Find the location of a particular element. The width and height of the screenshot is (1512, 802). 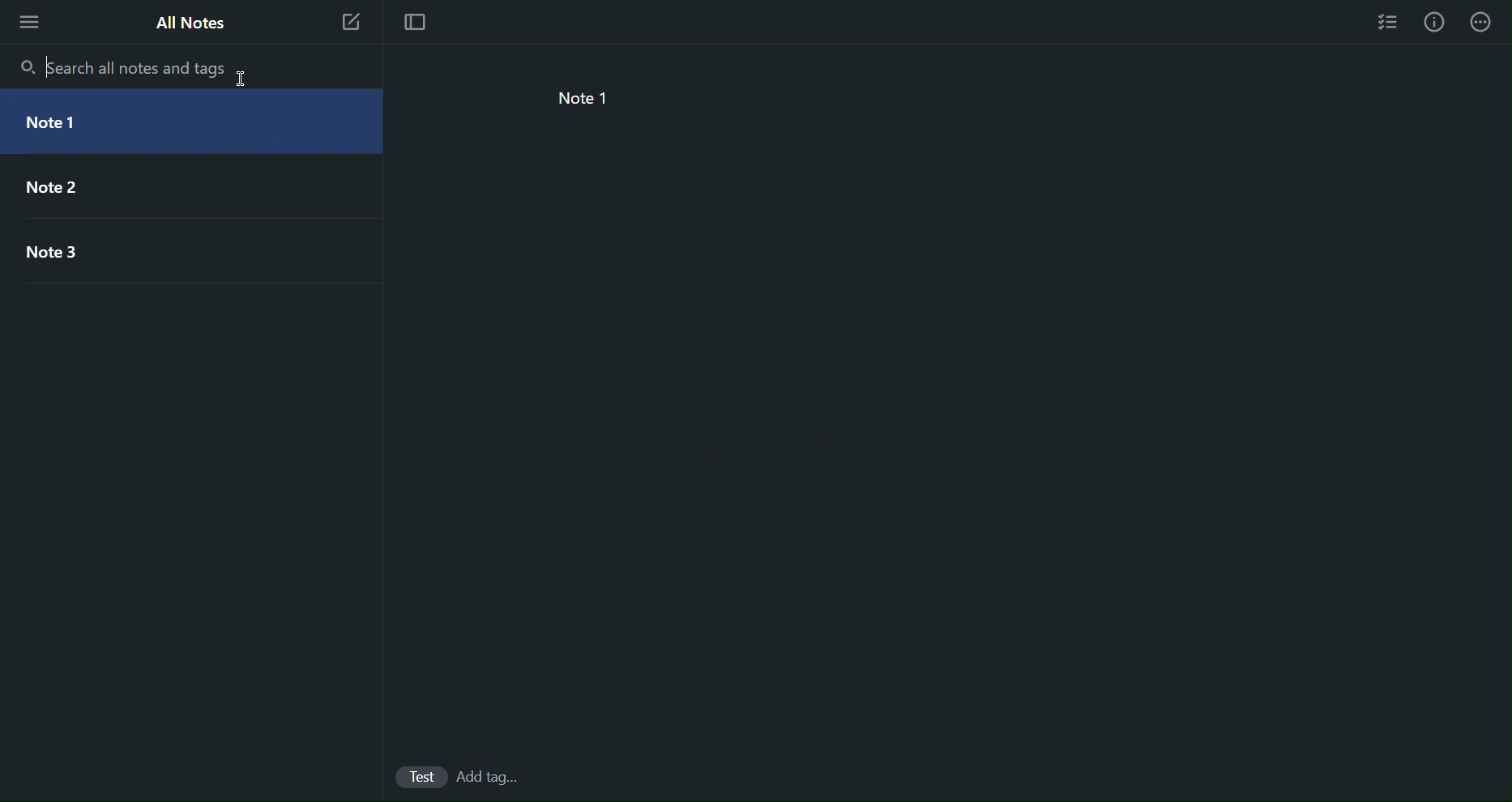

note 1 is located at coordinates (579, 99).